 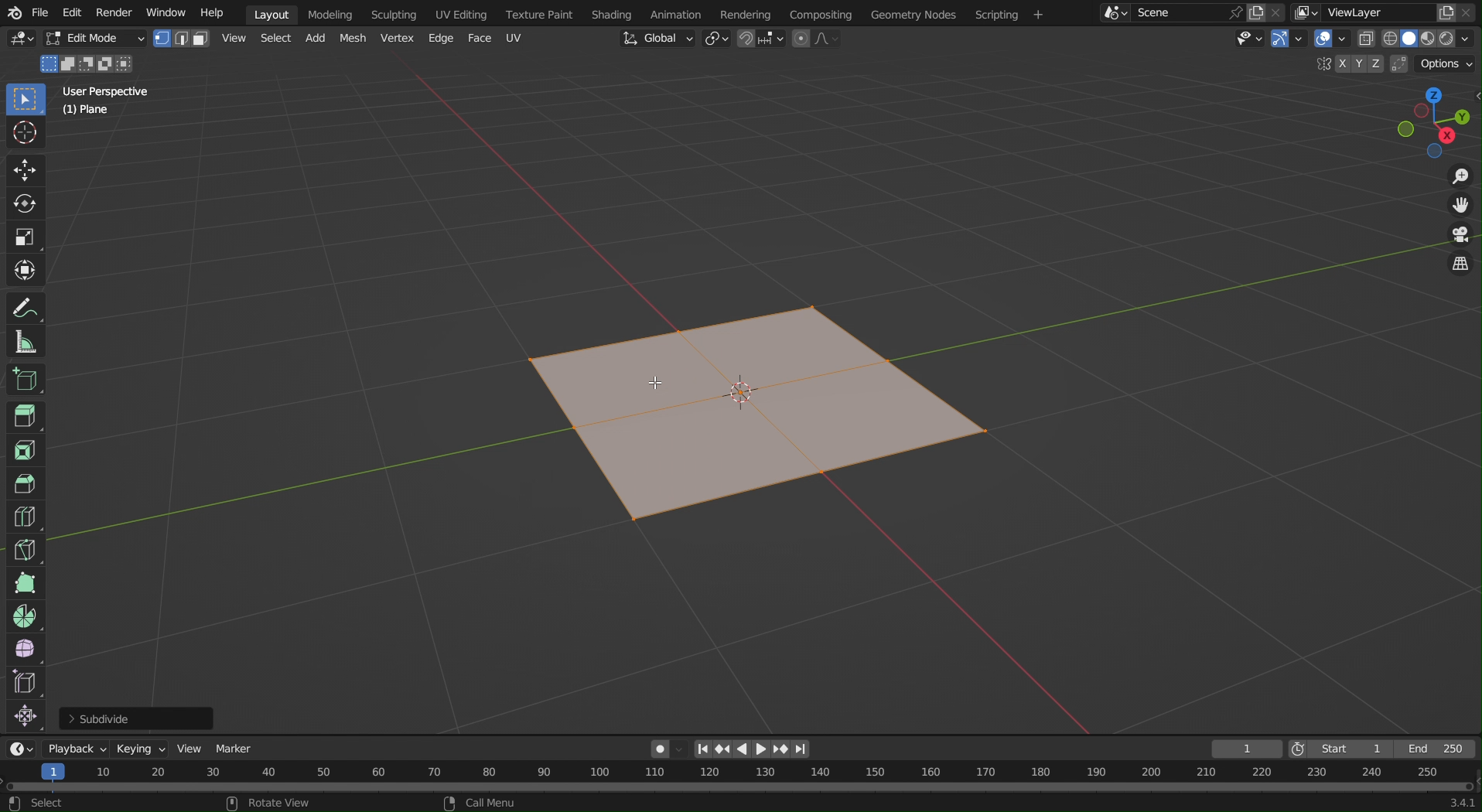 I want to click on UV Editing, so click(x=459, y=12).